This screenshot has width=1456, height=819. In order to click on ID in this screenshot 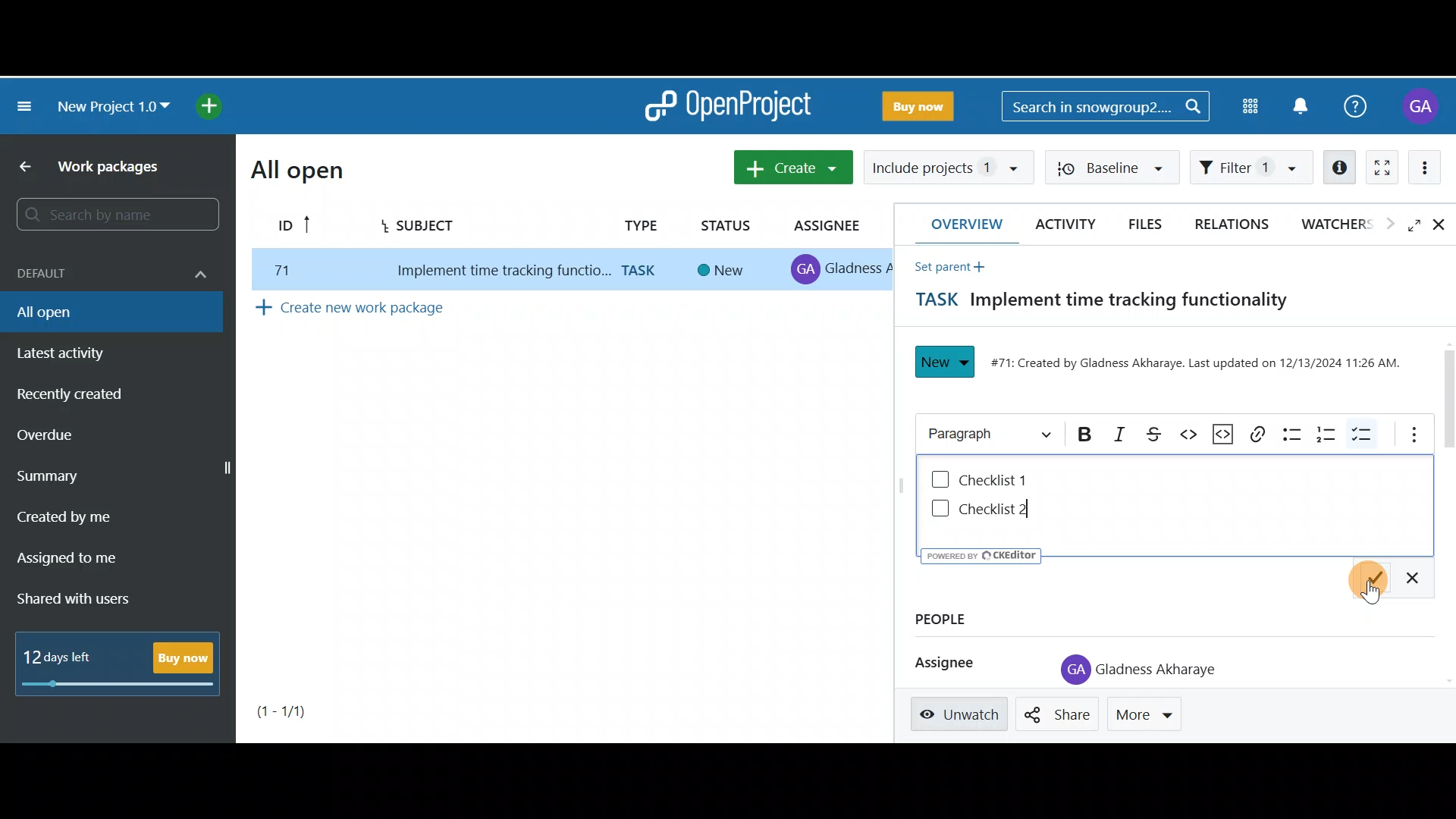, I will do `click(290, 227)`.